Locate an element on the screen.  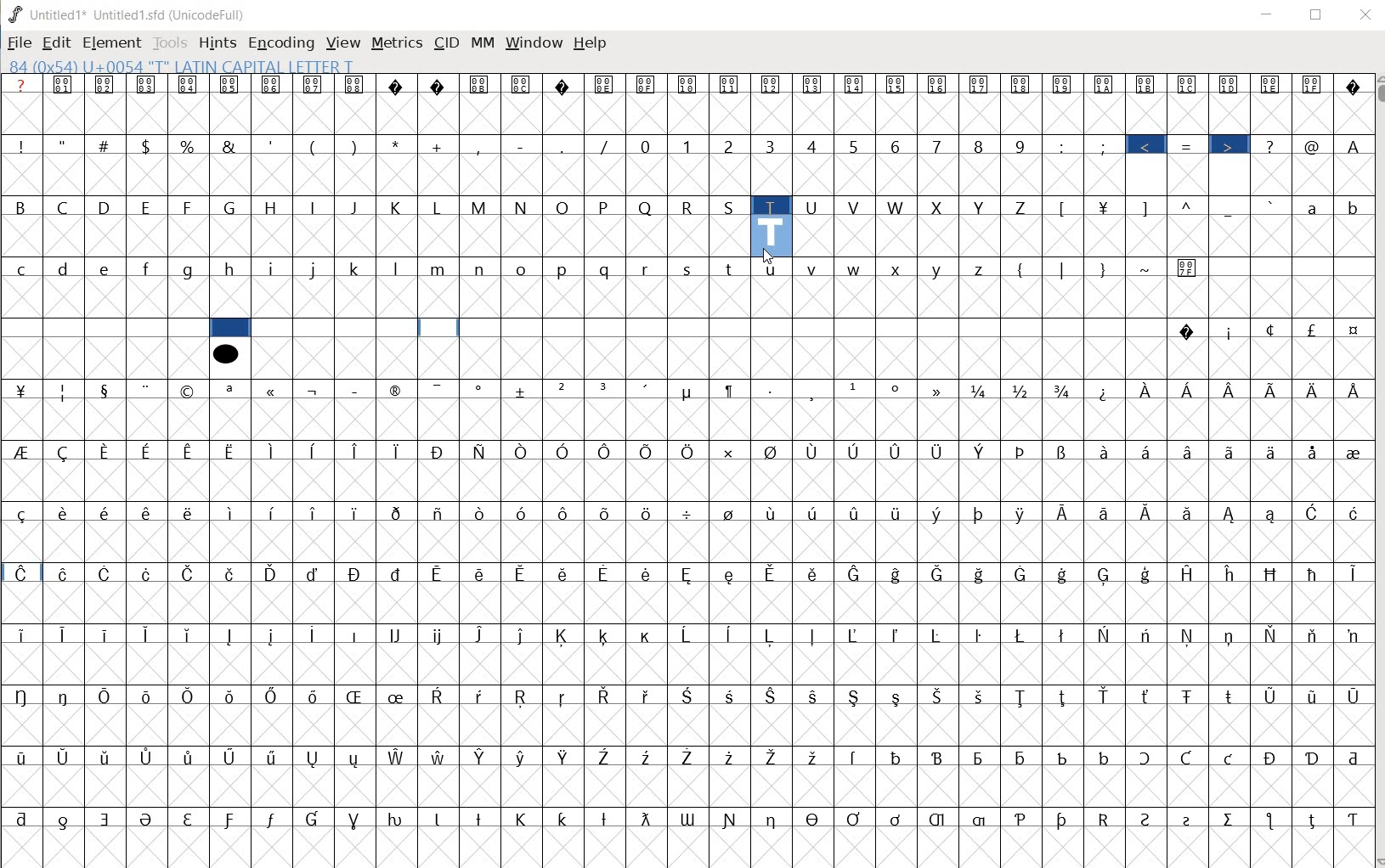
empty spaces is located at coordinates (710, 330).